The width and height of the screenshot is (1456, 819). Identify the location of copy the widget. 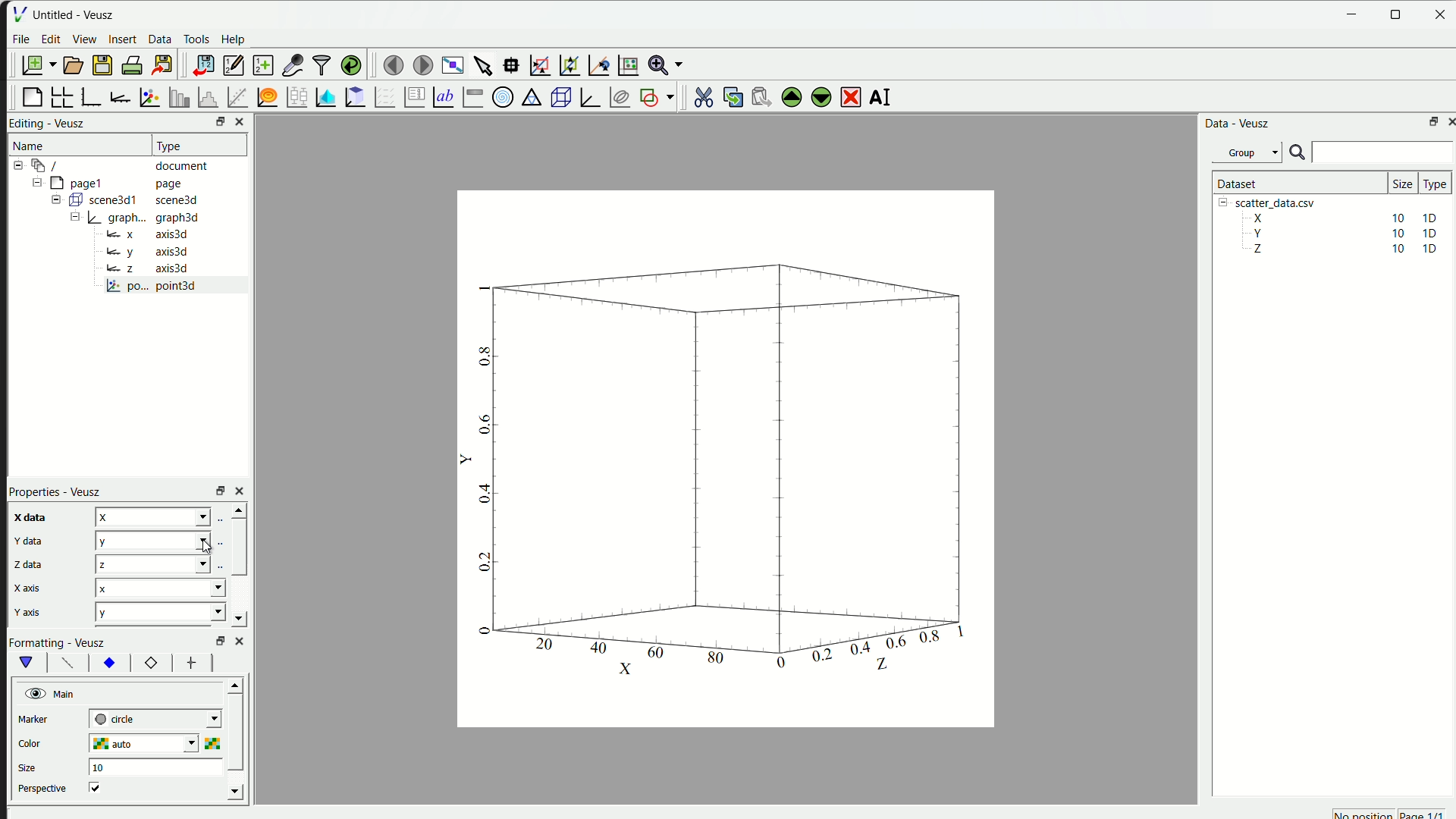
(730, 97).